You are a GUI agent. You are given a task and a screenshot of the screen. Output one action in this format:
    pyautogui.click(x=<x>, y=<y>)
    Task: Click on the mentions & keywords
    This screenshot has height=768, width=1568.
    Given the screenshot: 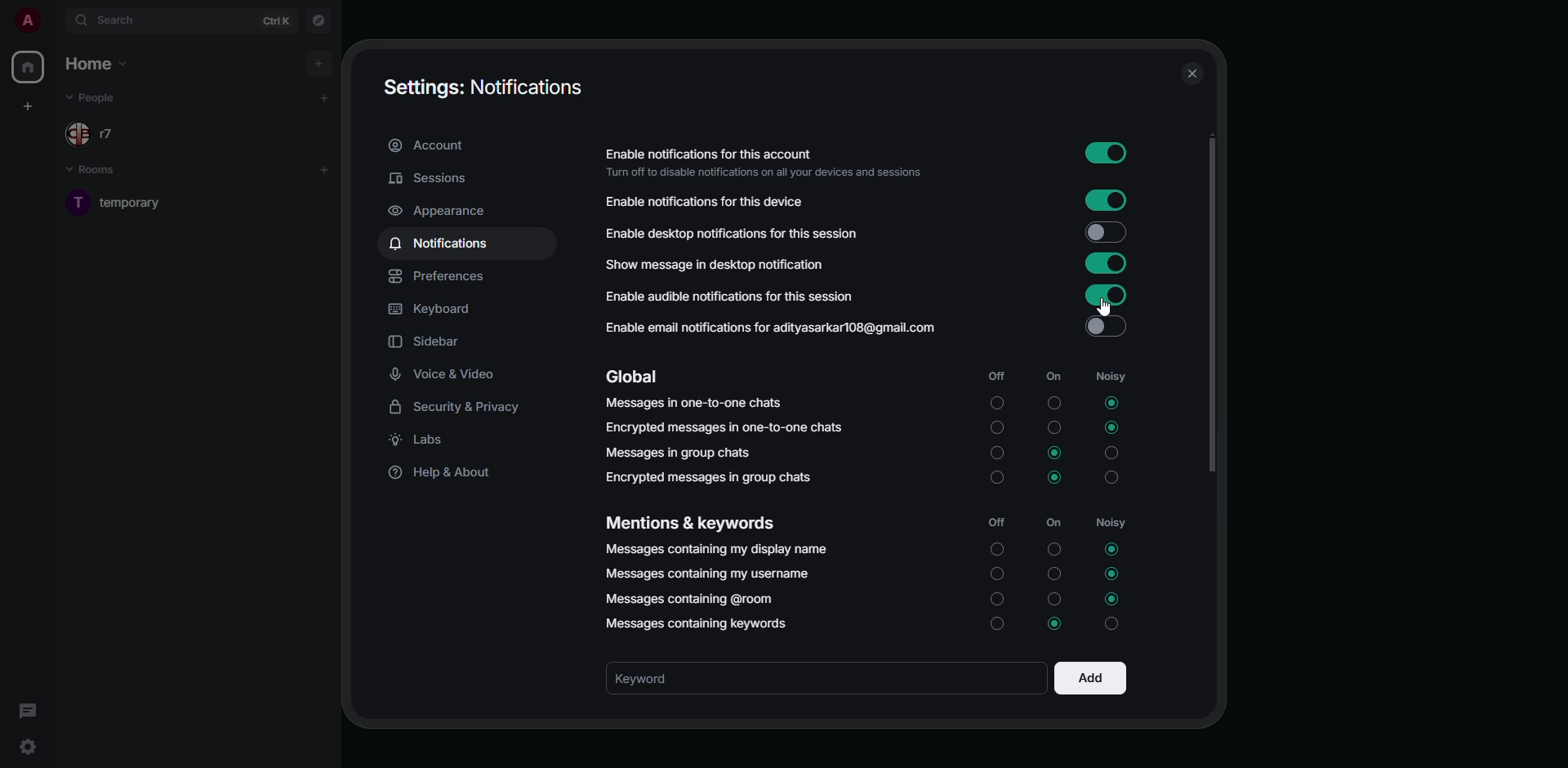 What is the action you would take?
    pyautogui.click(x=693, y=522)
    